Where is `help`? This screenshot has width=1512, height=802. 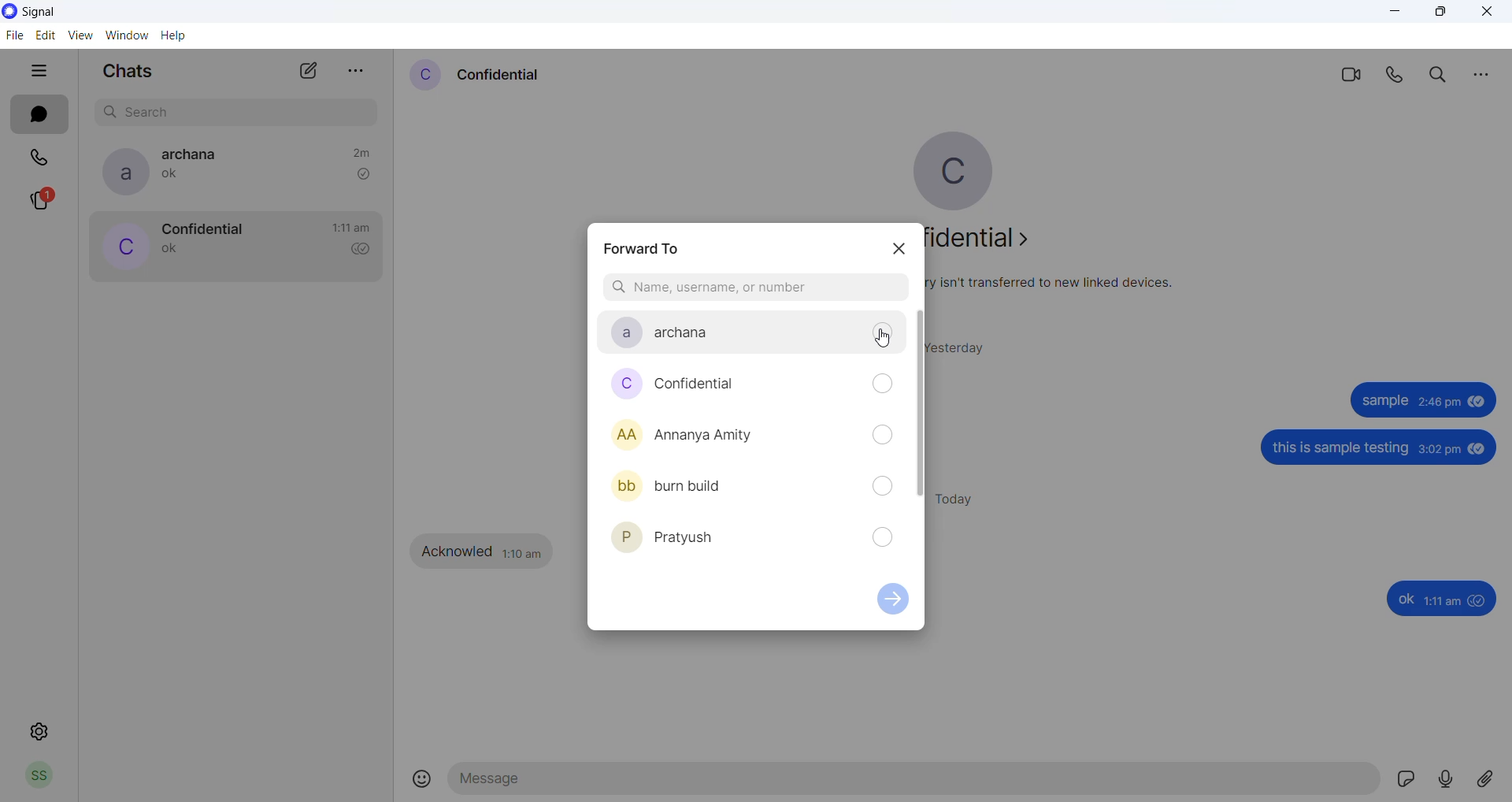 help is located at coordinates (177, 37).